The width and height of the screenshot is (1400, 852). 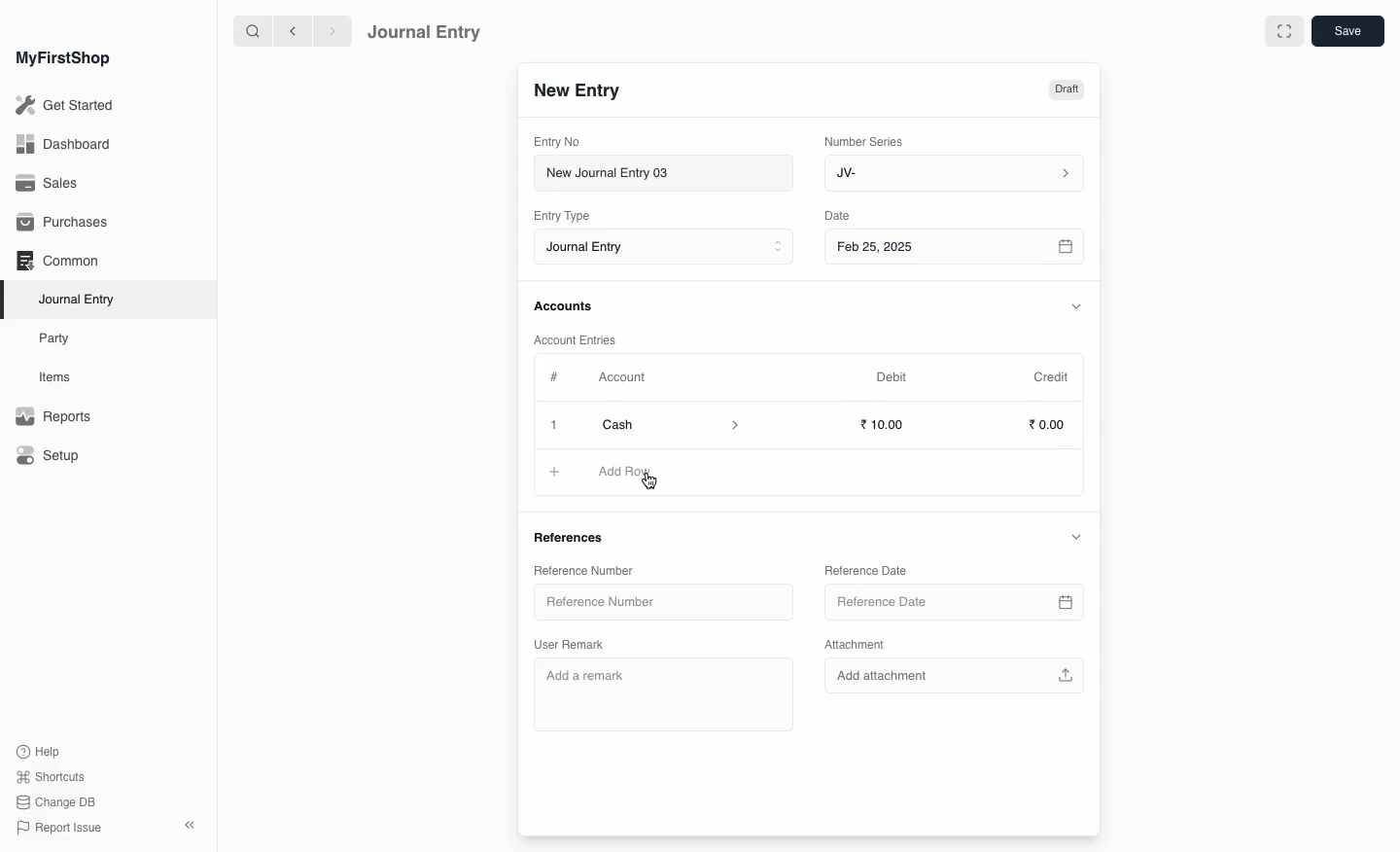 What do you see at coordinates (1282, 32) in the screenshot?
I see `Full width toggle` at bounding box center [1282, 32].